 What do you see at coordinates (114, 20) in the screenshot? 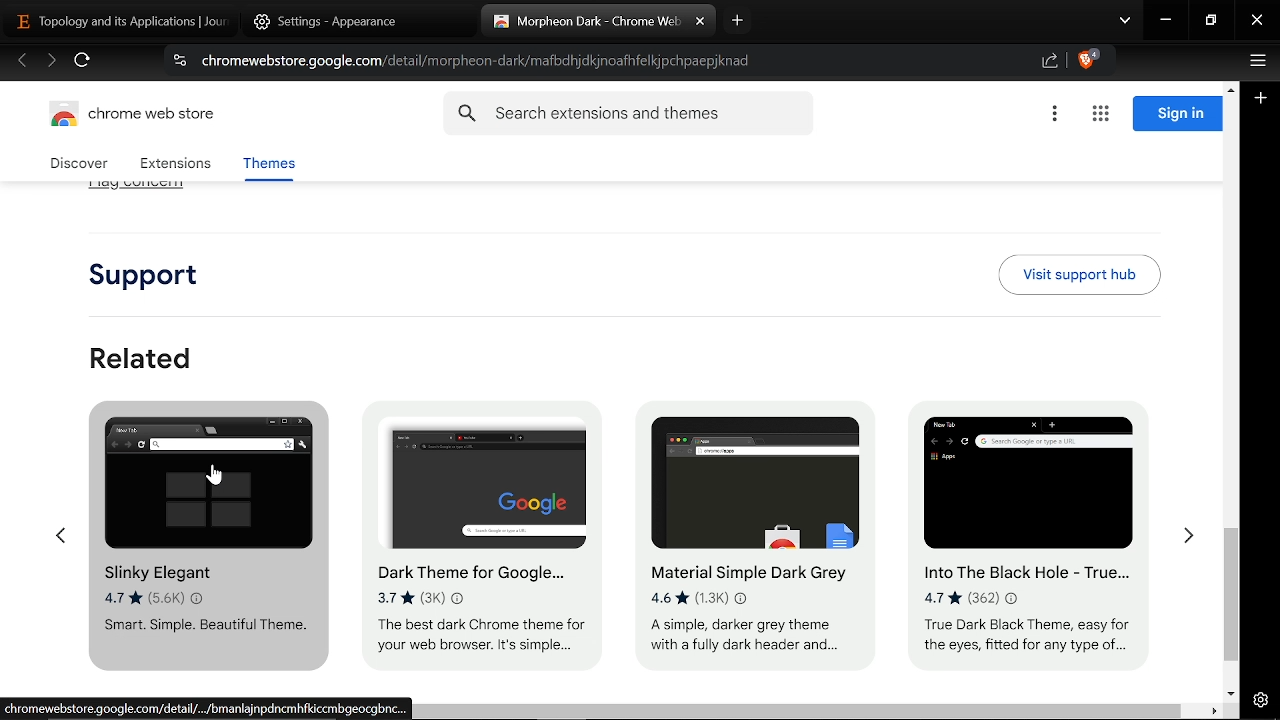
I see `Current tab` at bounding box center [114, 20].